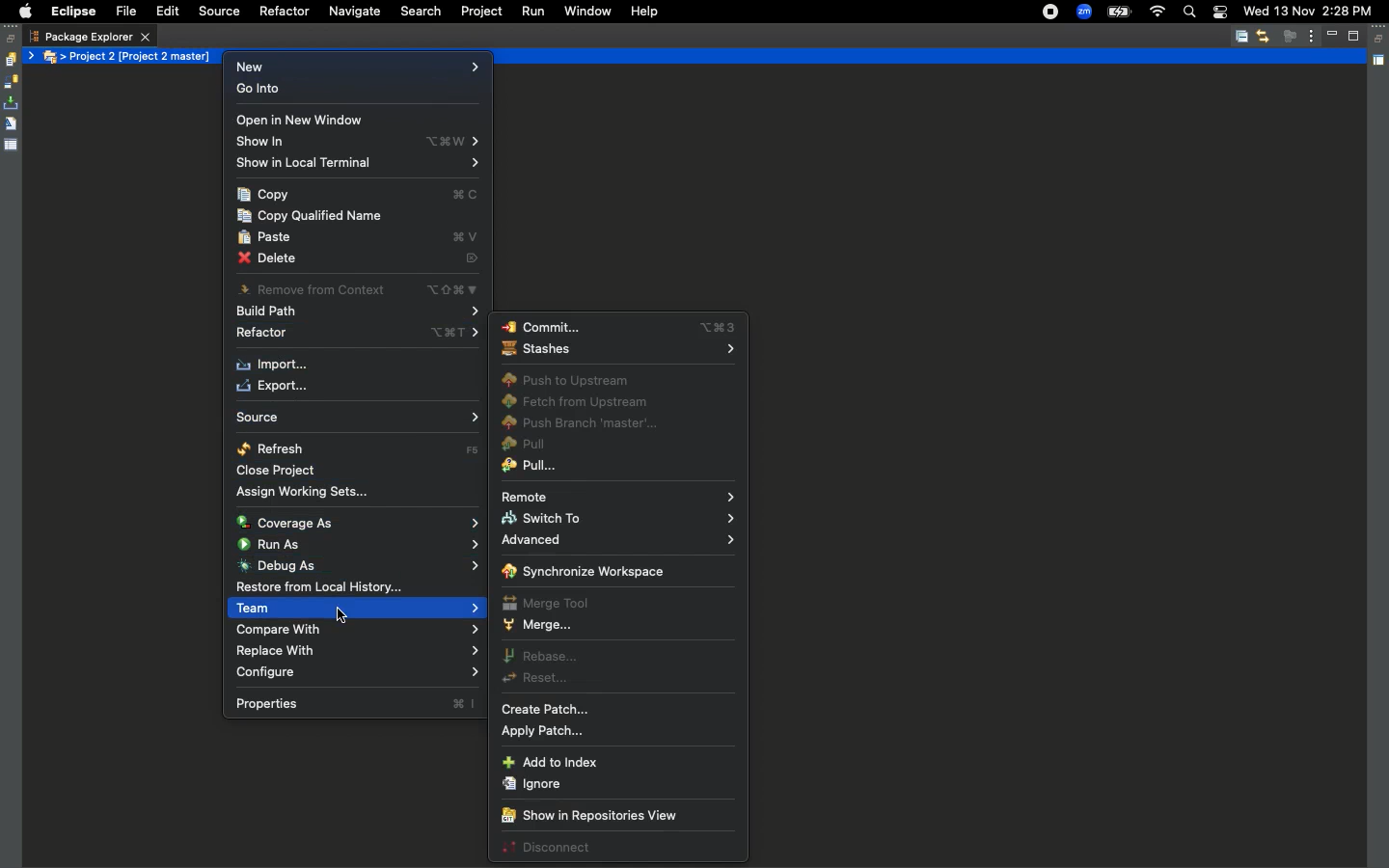  Describe the element at coordinates (13, 103) in the screenshot. I see `Git staging ` at that location.